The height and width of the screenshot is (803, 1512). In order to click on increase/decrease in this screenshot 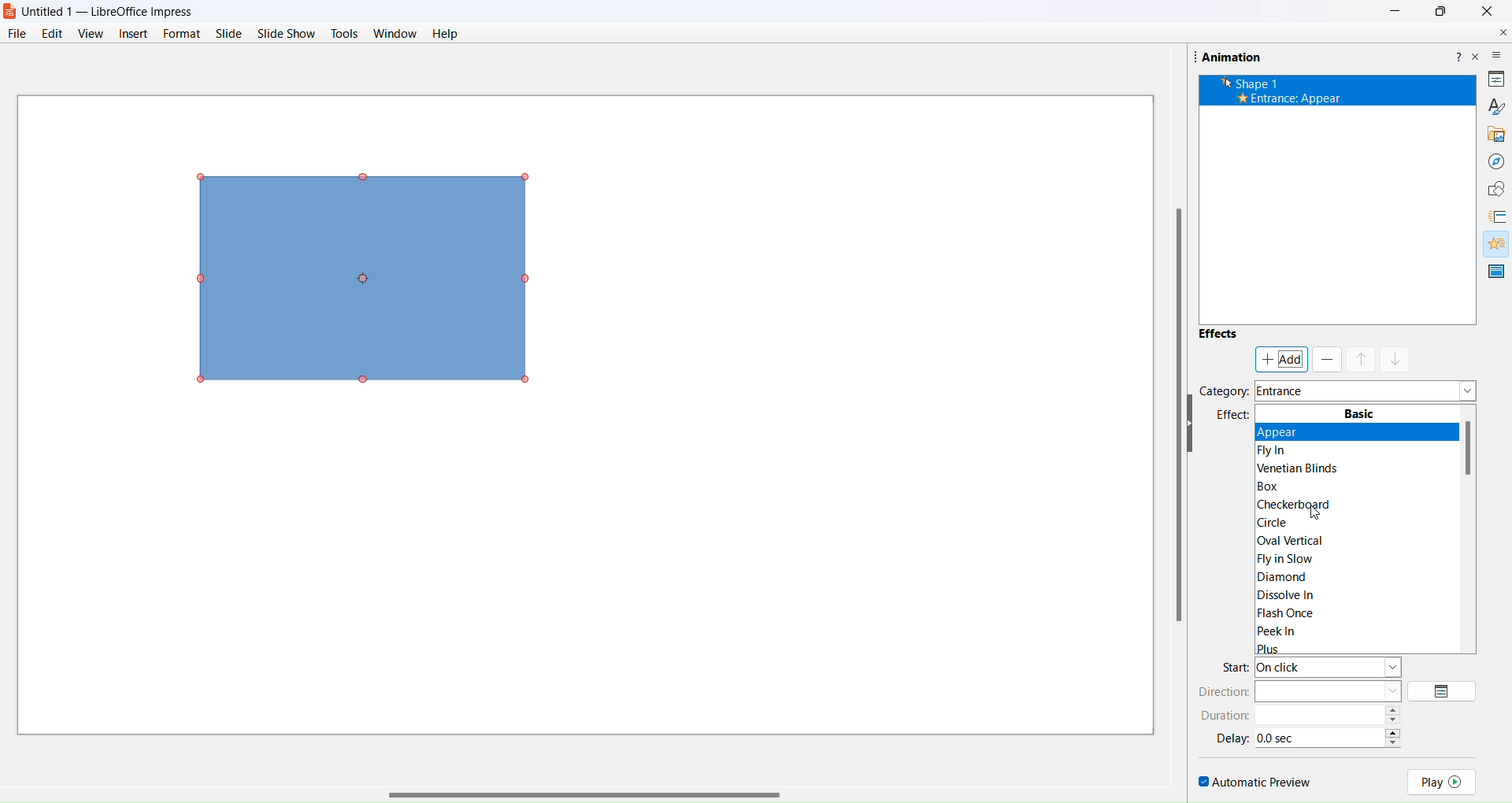, I will do `click(1395, 713)`.